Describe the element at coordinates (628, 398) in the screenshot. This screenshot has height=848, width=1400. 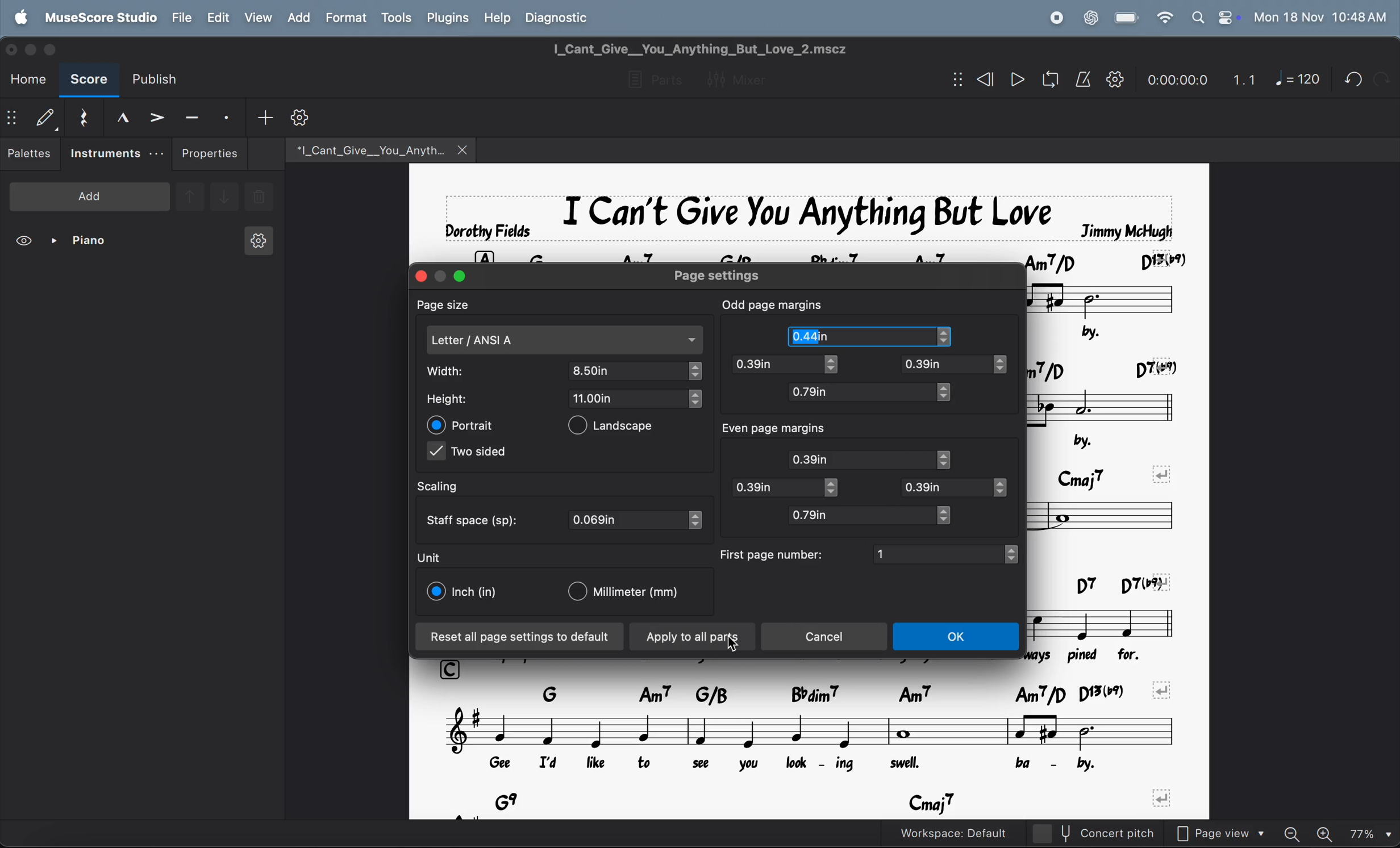
I see `11.0in` at that location.